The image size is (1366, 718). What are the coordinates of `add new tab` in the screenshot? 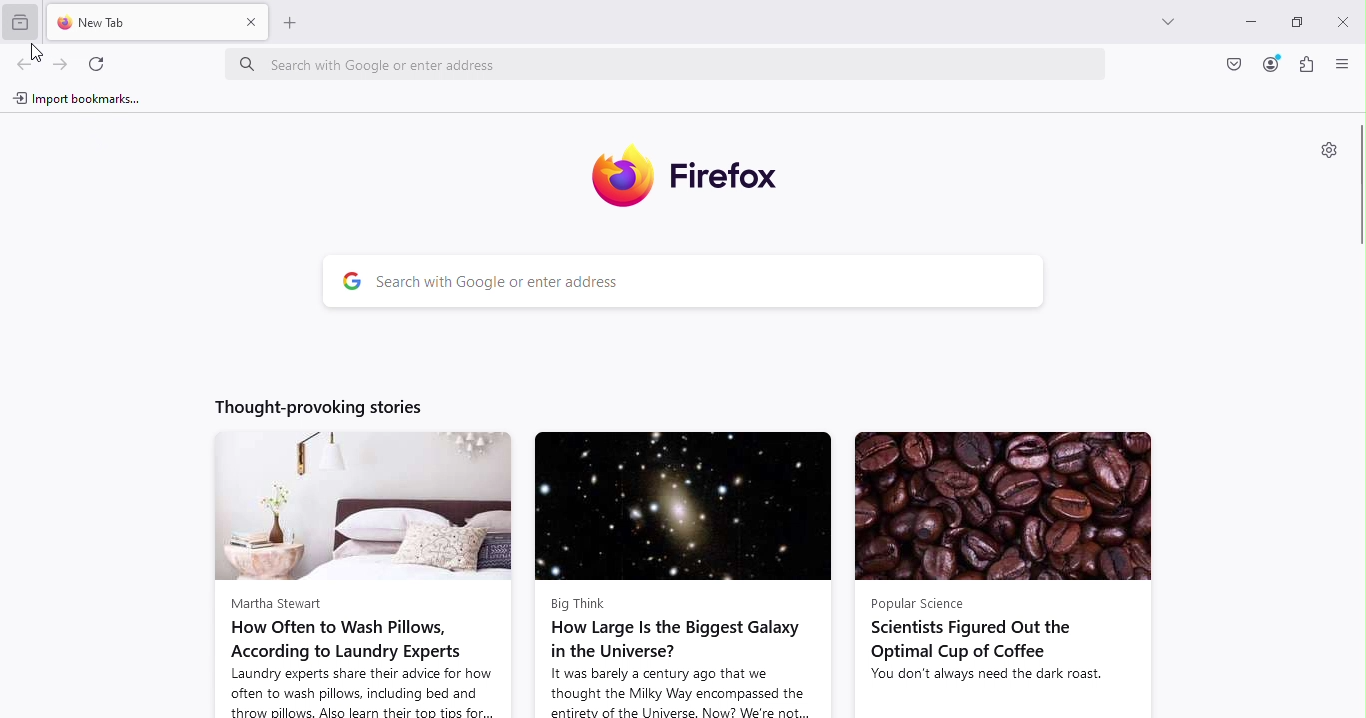 It's located at (291, 24).